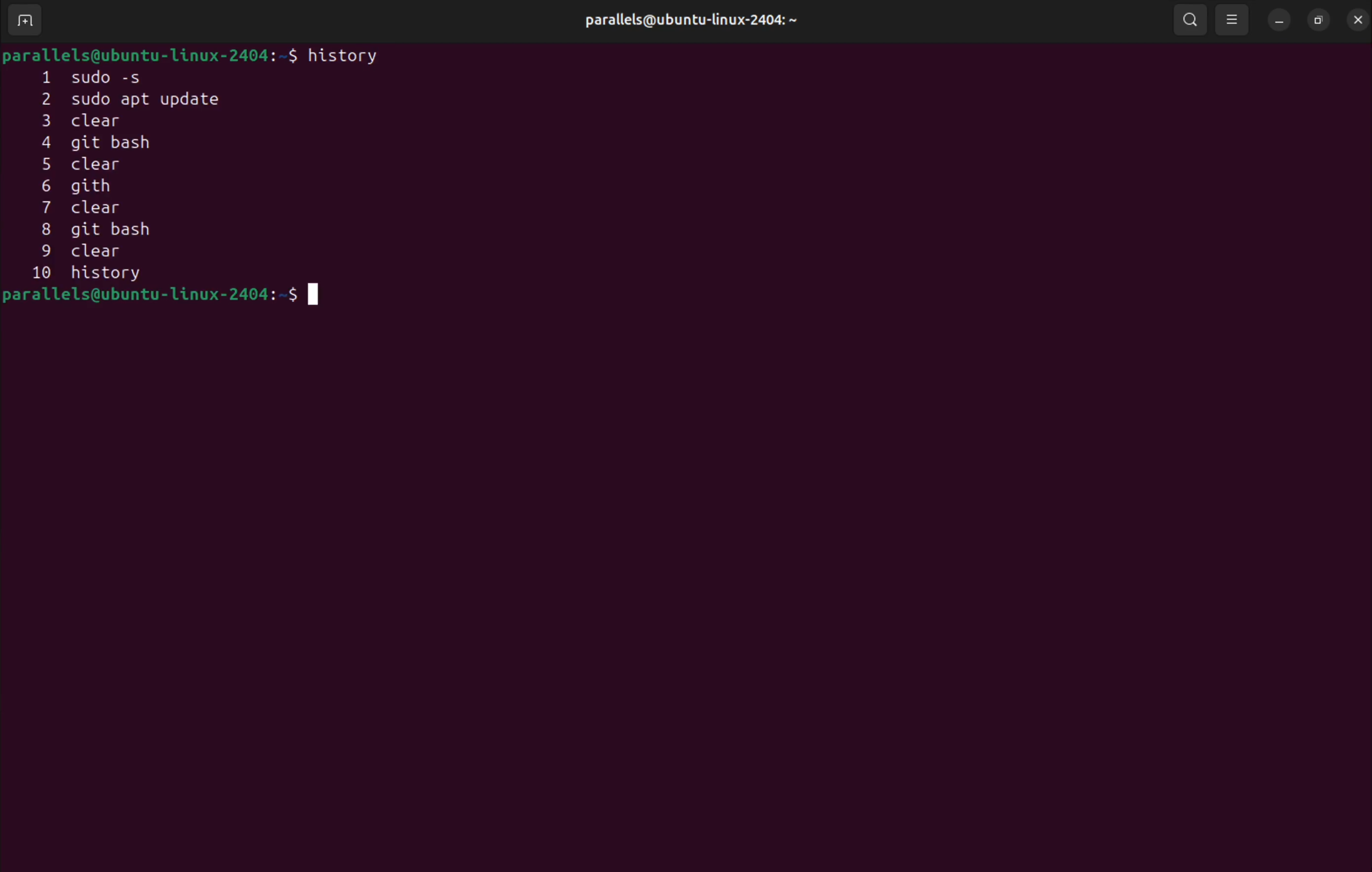 The height and width of the screenshot is (872, 1372). Describe the element at coordinates (23, 21) in the screenshot. I see `add new window` at that location.